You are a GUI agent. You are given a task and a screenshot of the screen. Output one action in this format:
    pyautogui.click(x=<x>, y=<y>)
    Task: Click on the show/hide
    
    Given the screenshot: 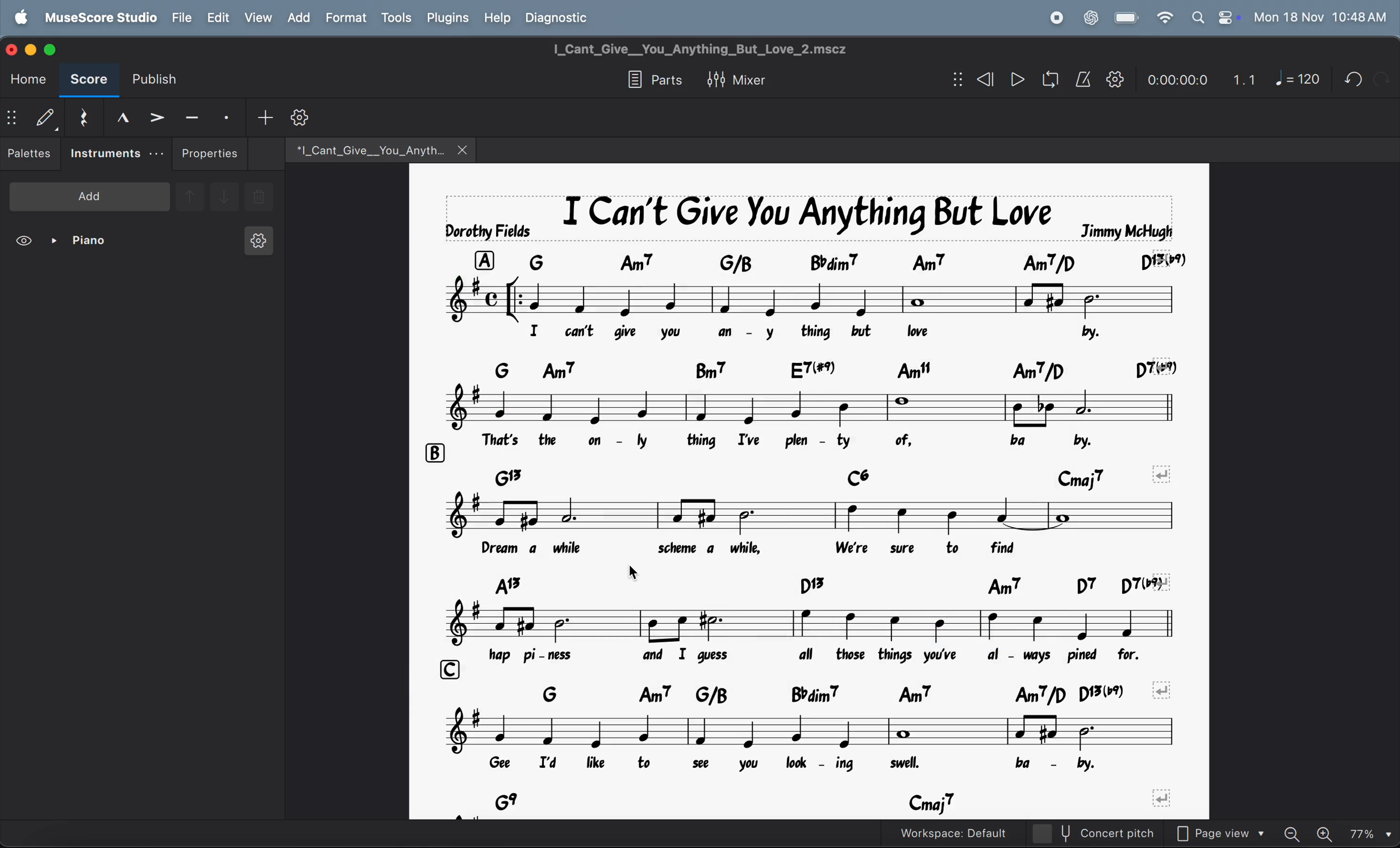 What is the action you would take?
    pyautogui.click(x=12, y=119)
    